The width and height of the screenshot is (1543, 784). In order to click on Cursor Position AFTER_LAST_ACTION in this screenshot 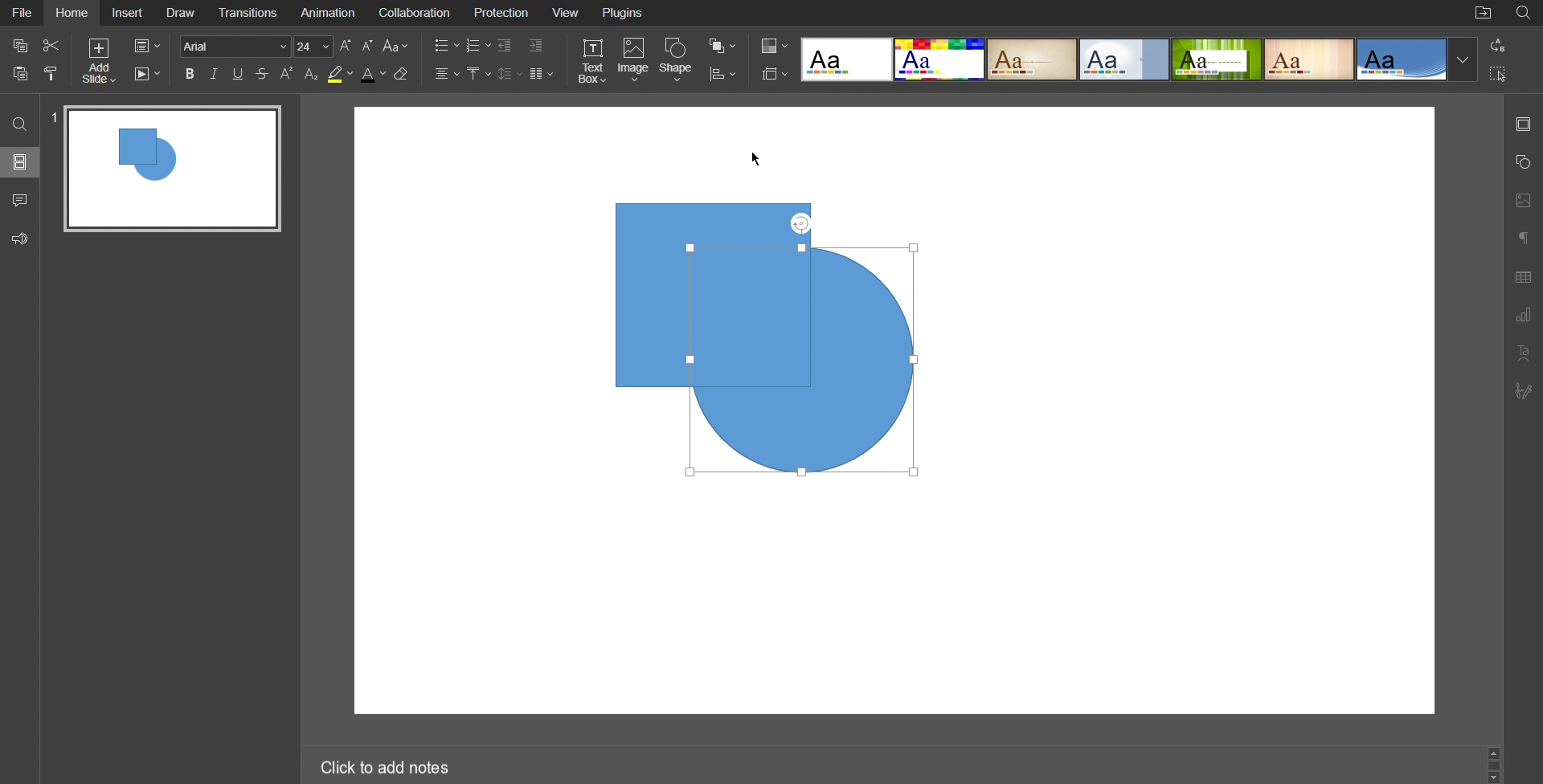, I will do `click(758, 158)`.